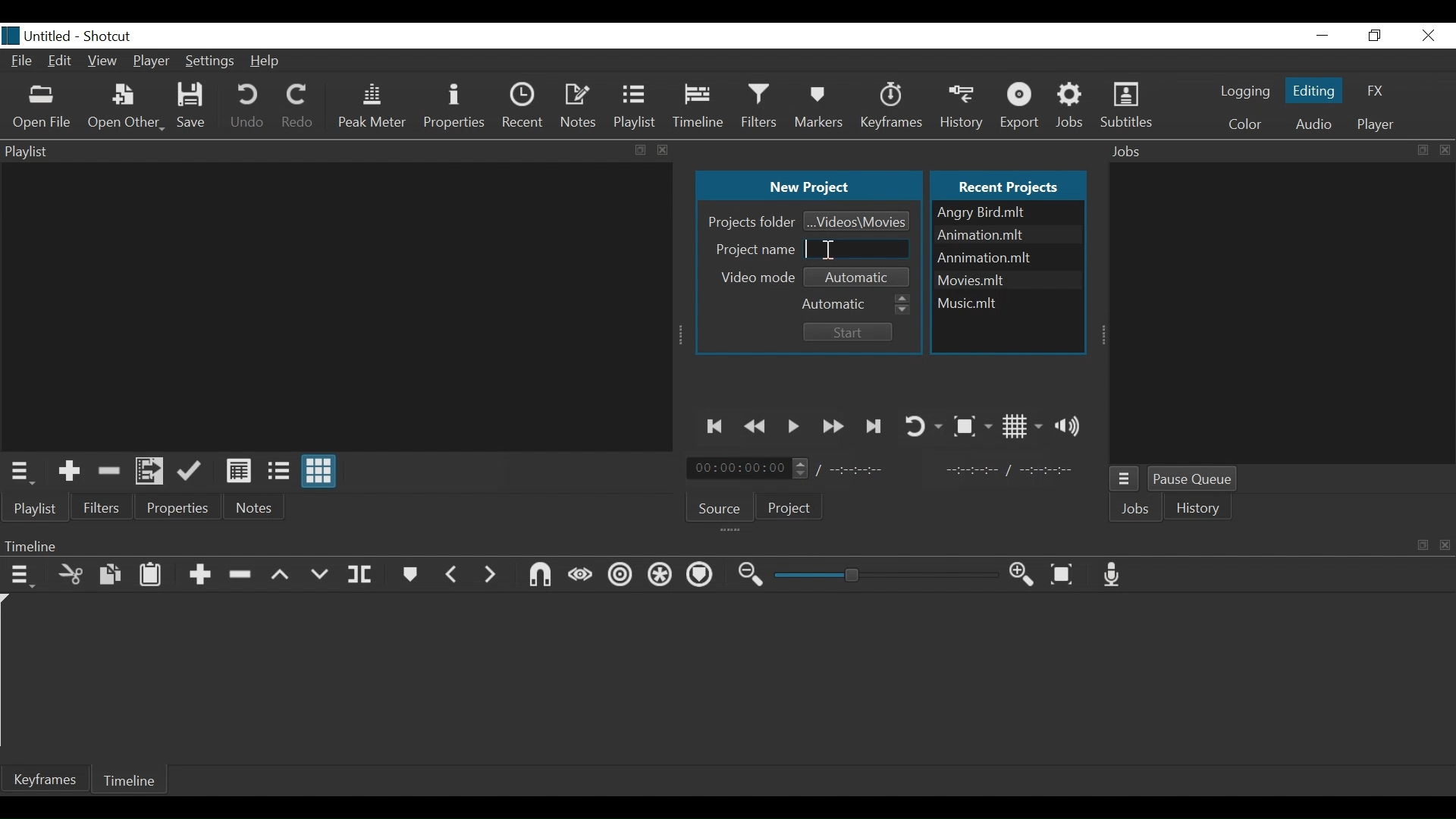  Describe the element at coordinates (971, 426) in the screenshot. I see `Toggle Zoom` at that location.